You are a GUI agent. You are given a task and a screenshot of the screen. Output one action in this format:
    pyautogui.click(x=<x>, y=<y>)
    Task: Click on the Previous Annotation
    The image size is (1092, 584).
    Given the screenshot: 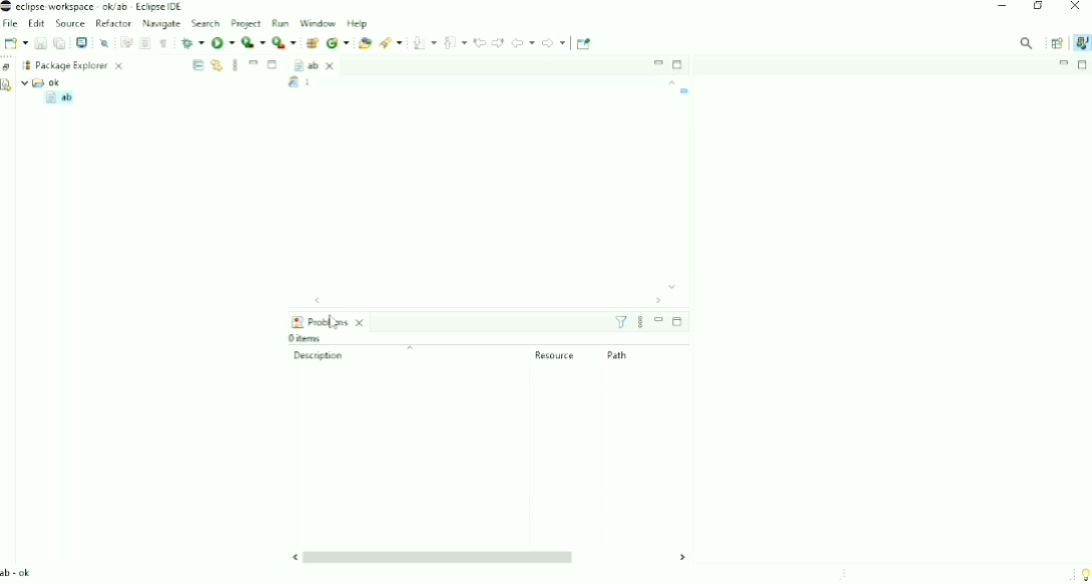 What is the action you would take?
    pyautogui.click(x=456, y=42)
    